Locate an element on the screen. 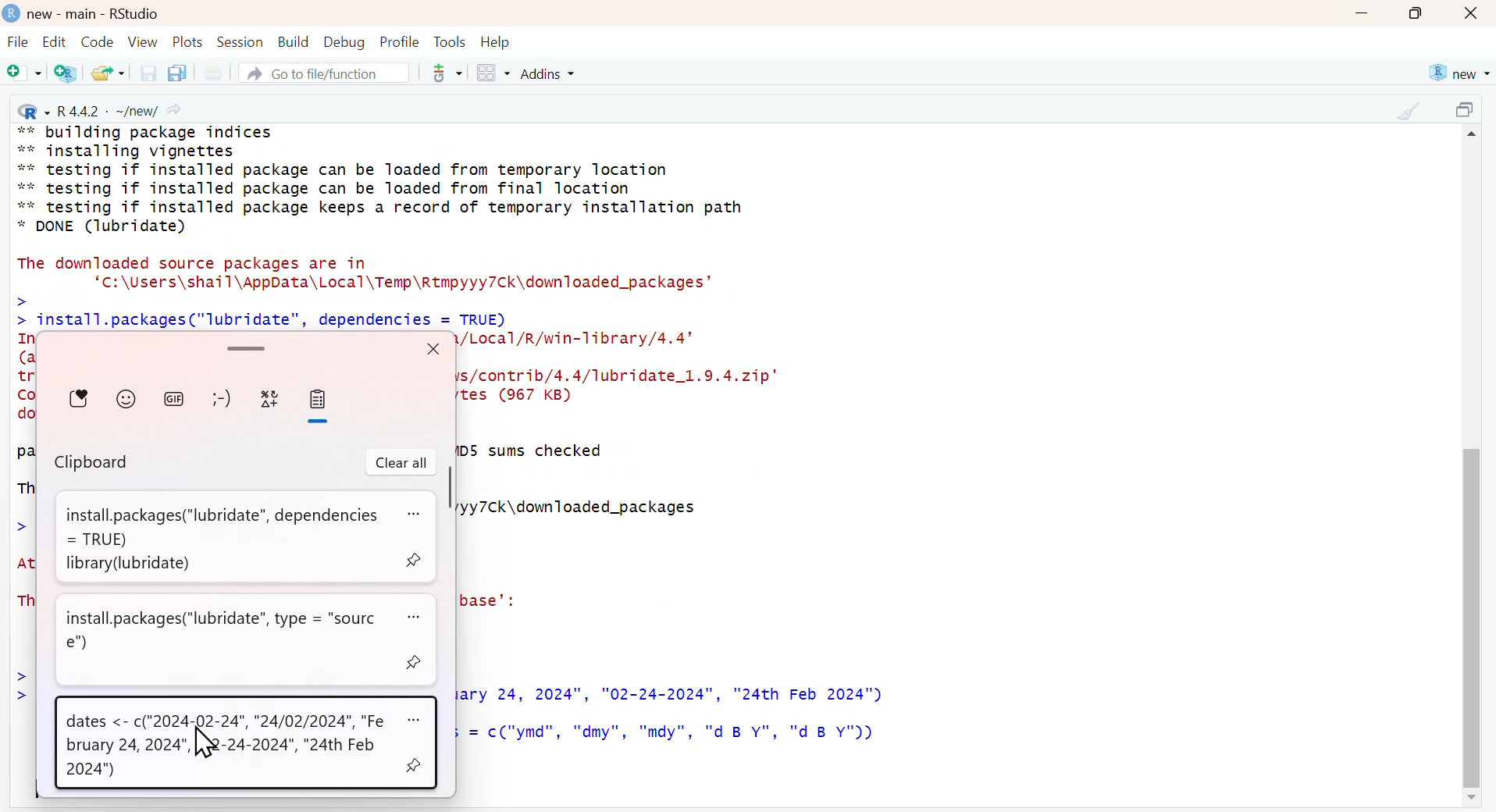  cursor is located at coordinates (205, 744).